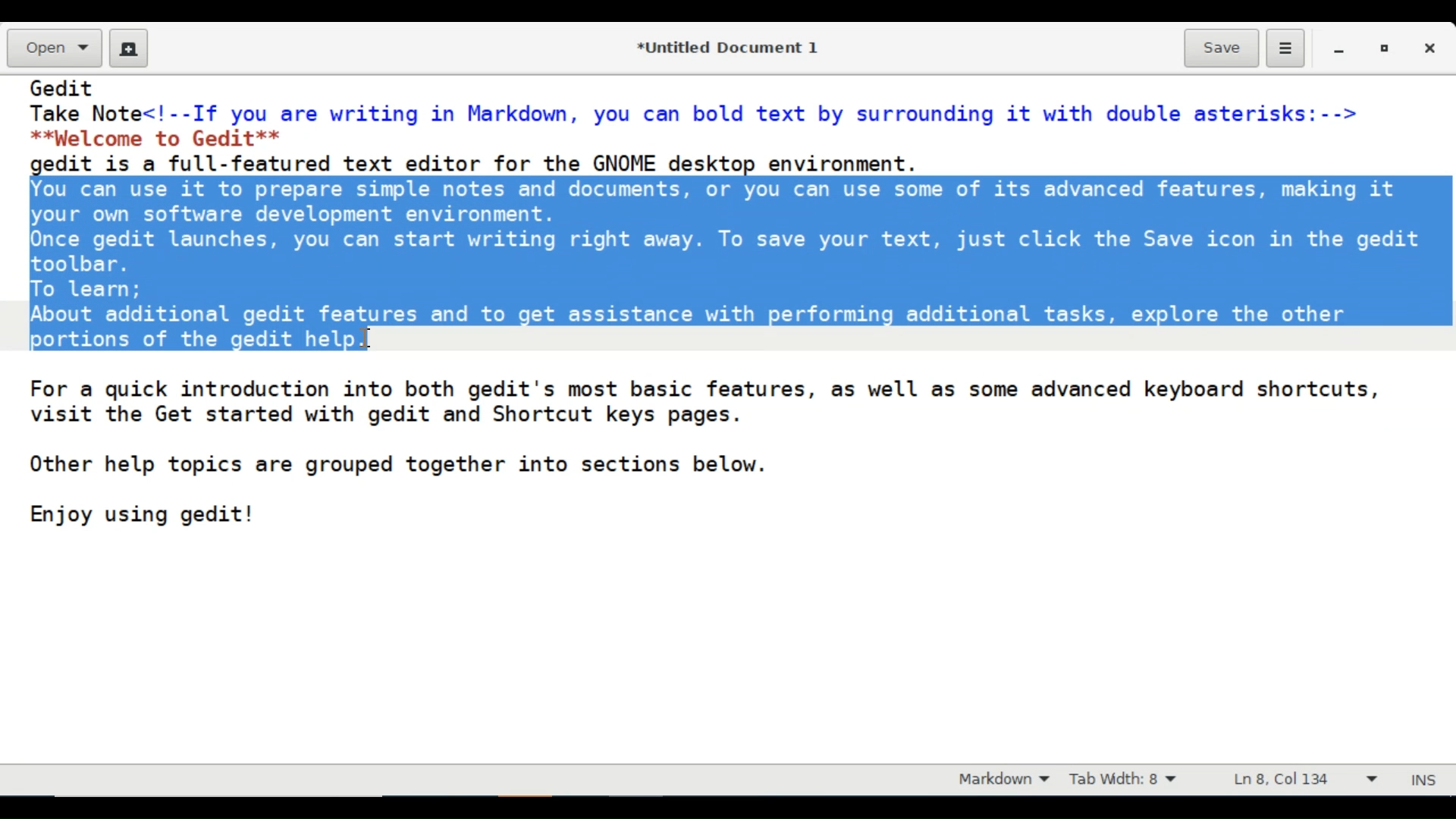  I want to click on Close, so click(1432, 48).